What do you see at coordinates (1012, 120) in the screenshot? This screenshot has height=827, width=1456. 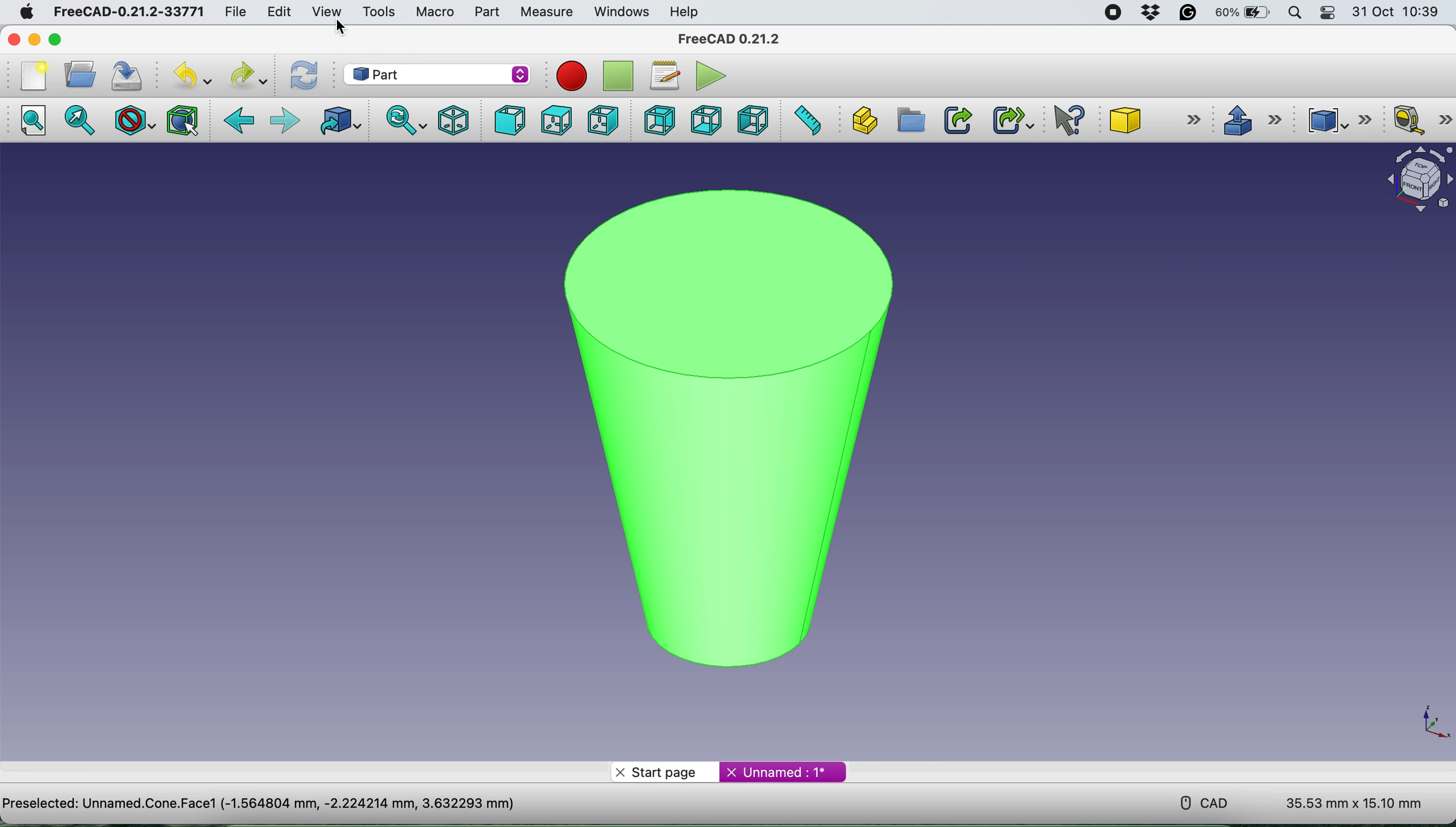 I see `make sub link` at bounding box center [1012, 120].